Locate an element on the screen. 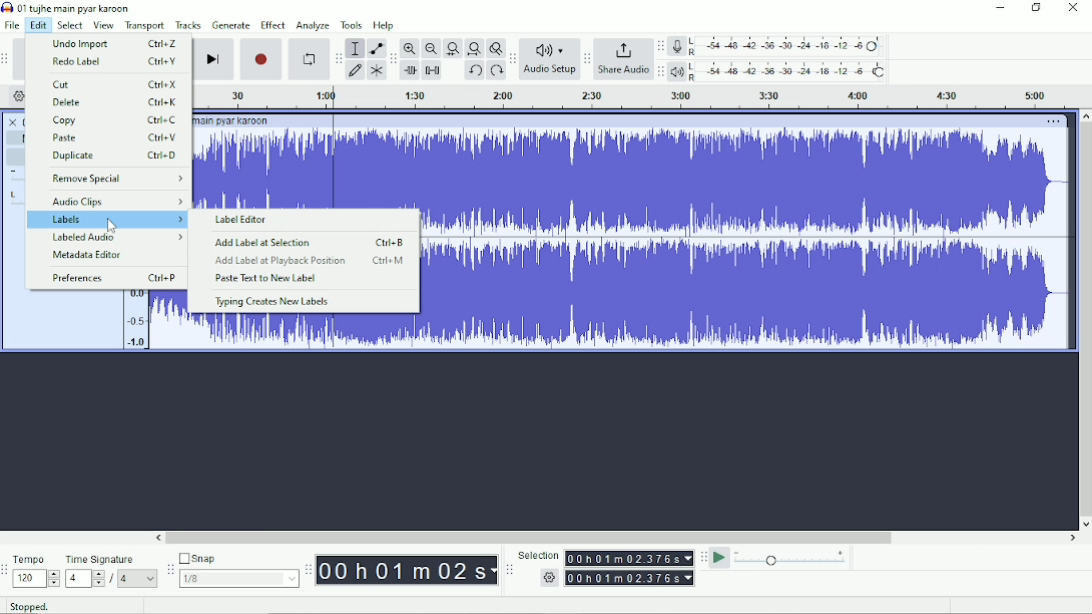 The height and width of the screenshot is (614, 1092). Audacity tools toolbar is located at coordinates (338, 58).